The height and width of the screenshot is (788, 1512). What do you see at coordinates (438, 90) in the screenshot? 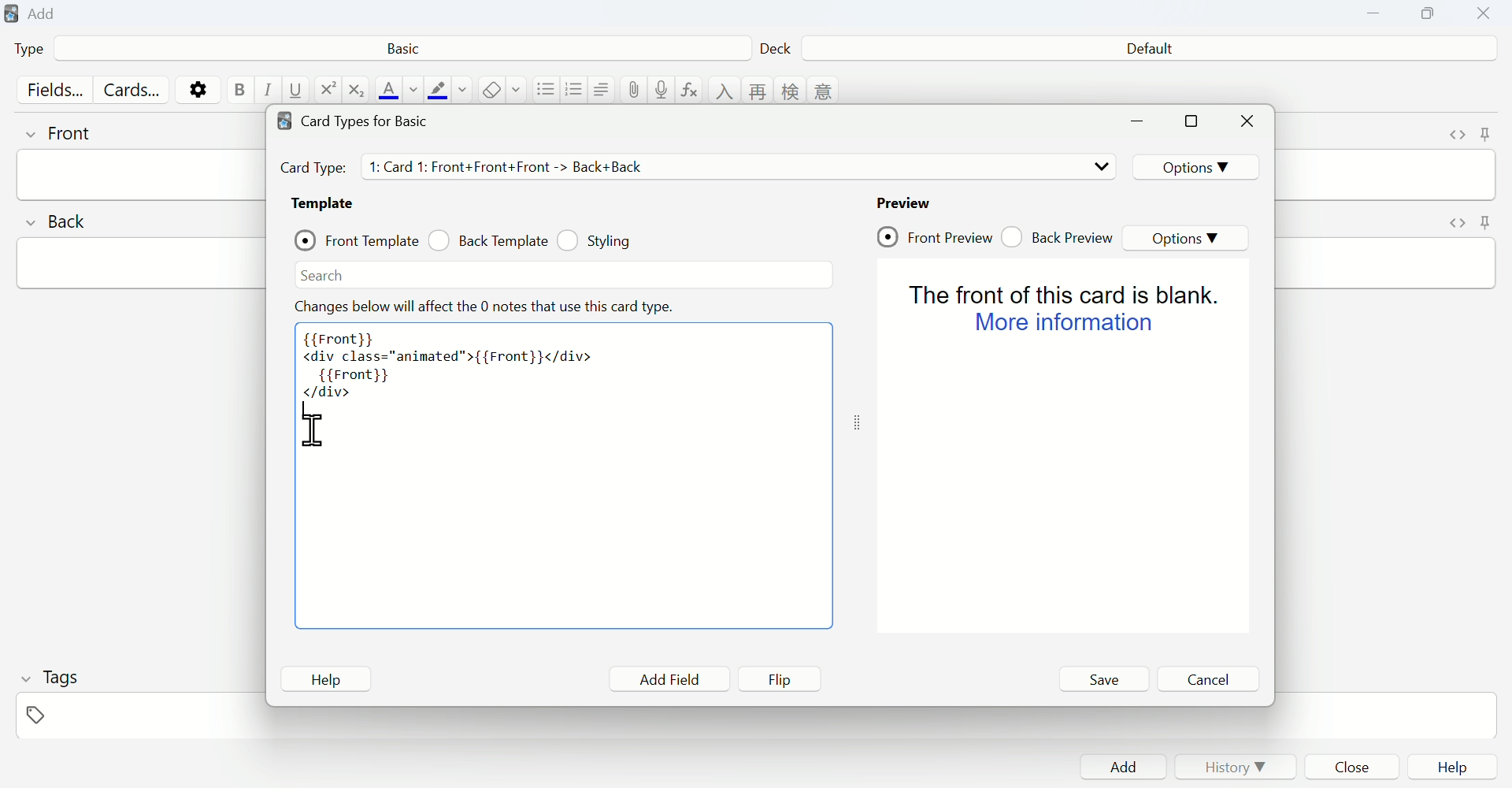
I see `text highlight color` at bounding box center [438, 90].